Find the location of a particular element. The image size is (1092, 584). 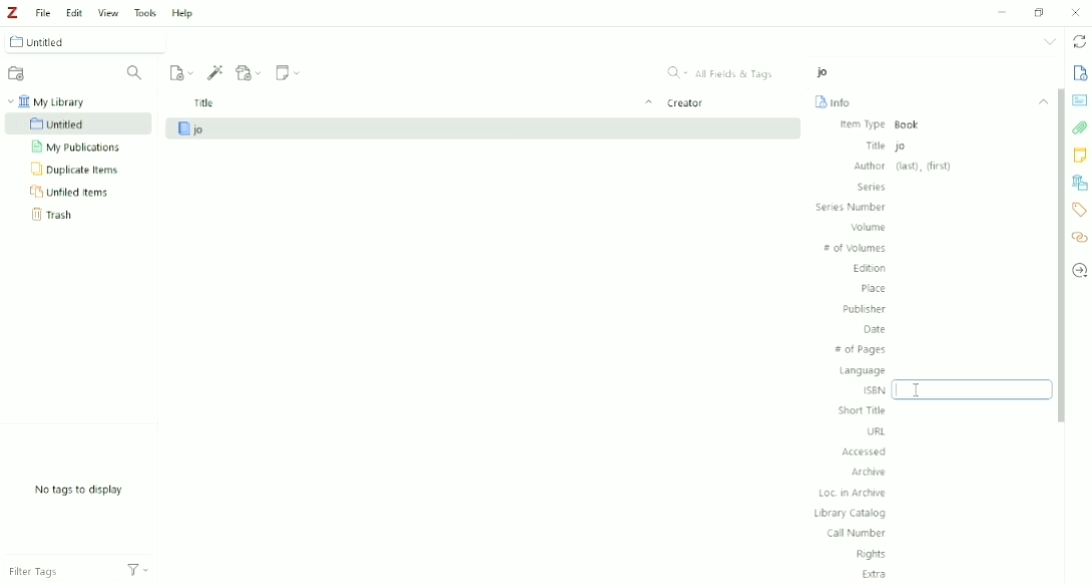

Sync is located at coordinates (1080, 41).